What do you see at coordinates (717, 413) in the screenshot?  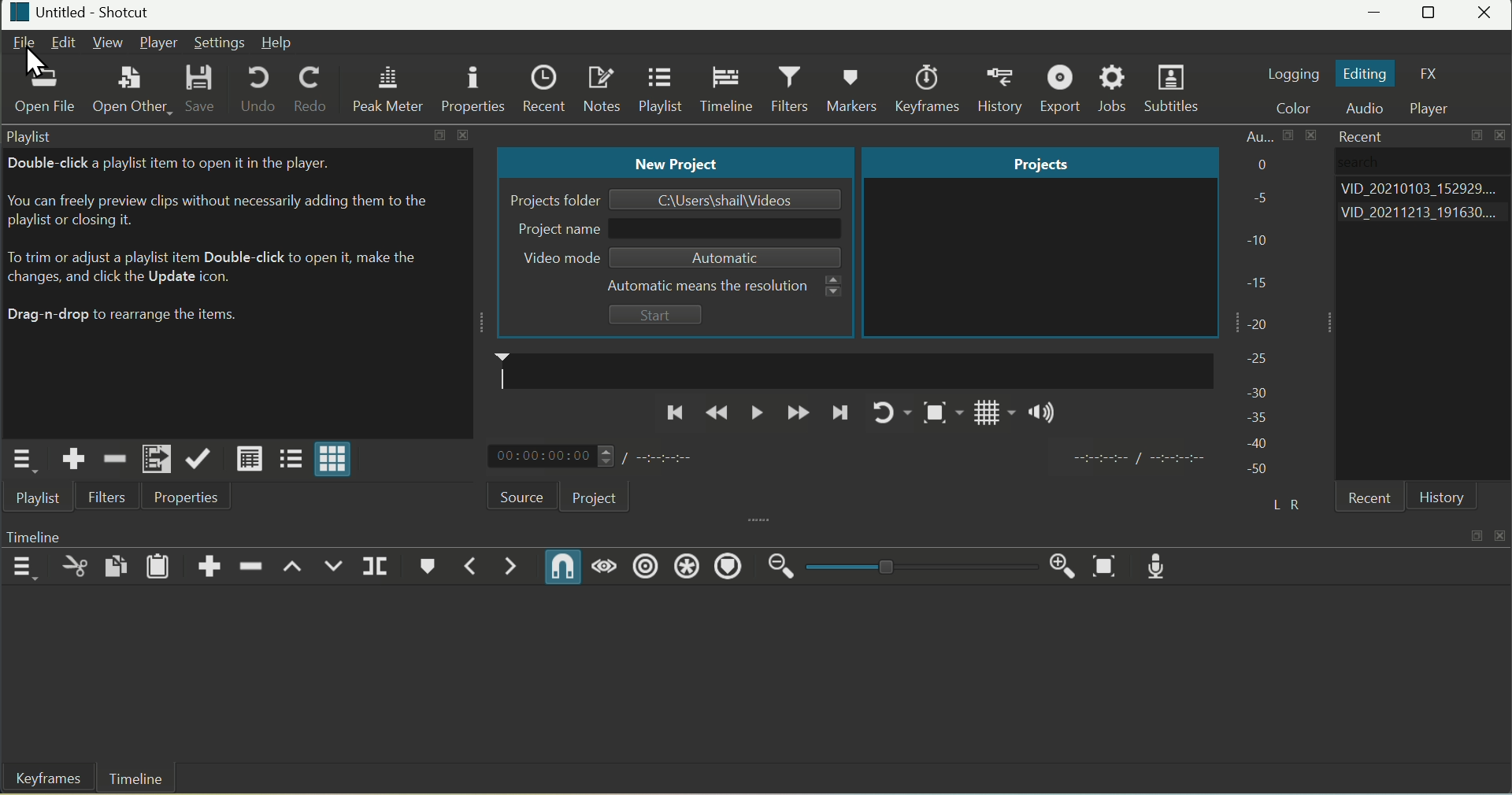 I see `Backward` at bounding box center [717, 413].